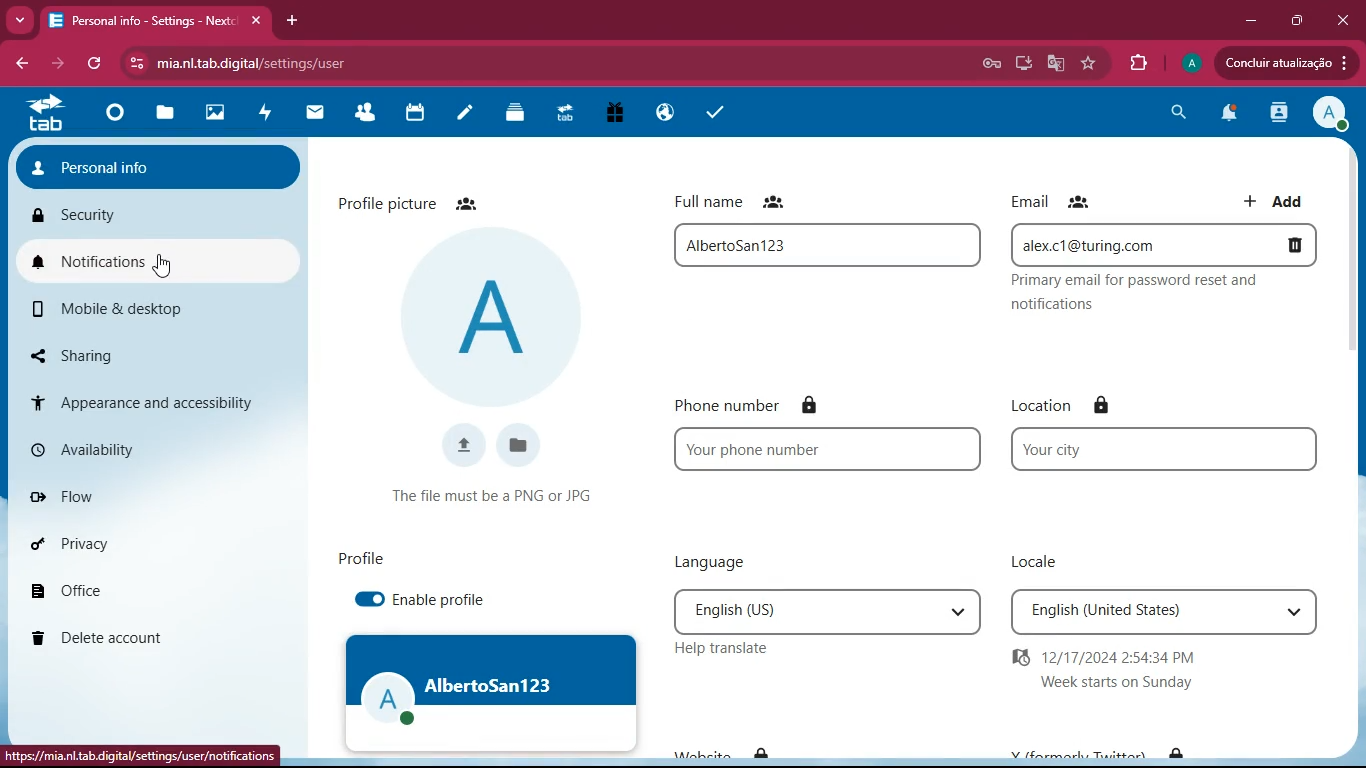 The width and height of the screenshot is (1366, 768). Describe the element at coordinates (361, 553) in the screenshot. I see `profile` at that location.